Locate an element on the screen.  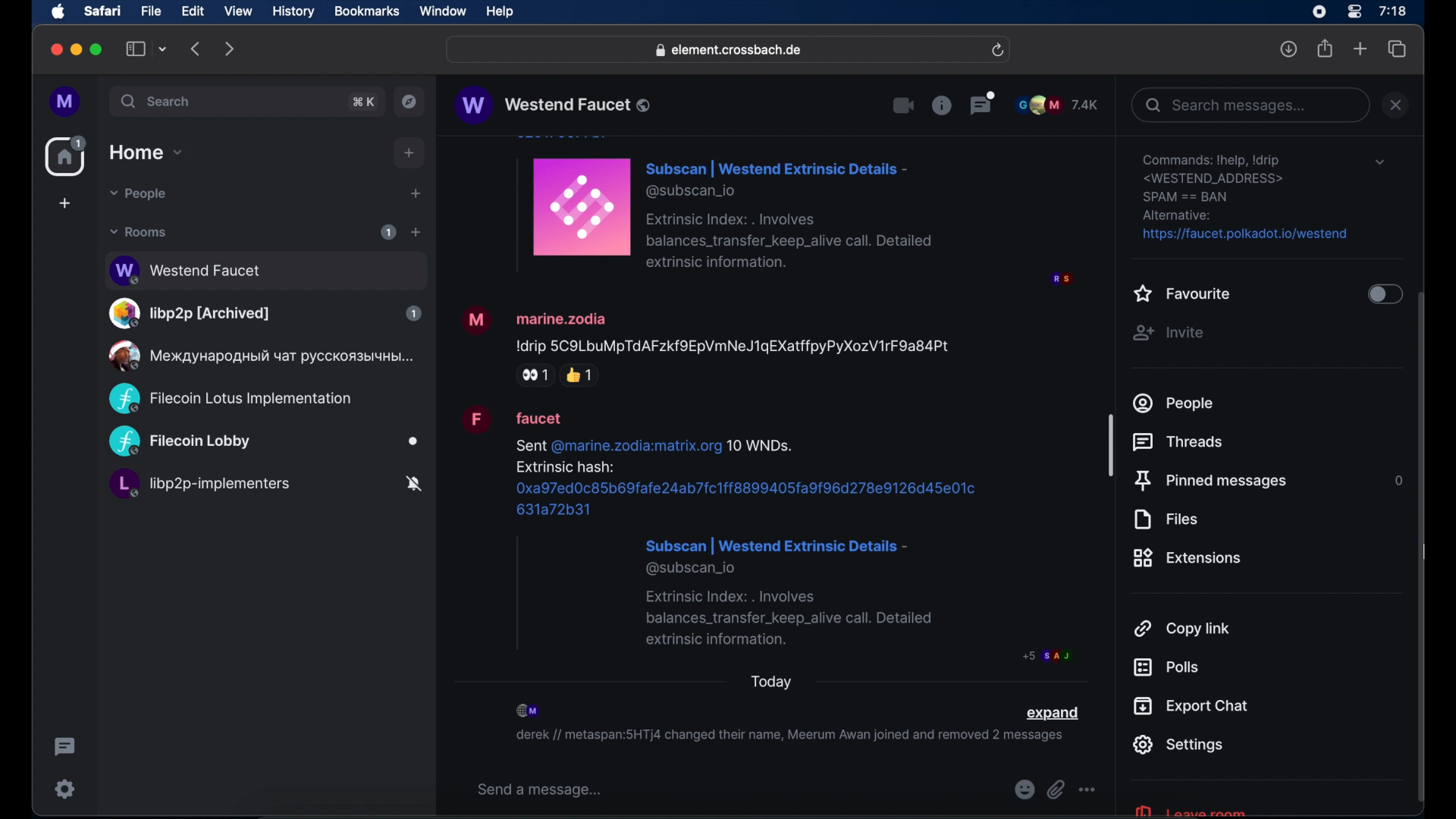
profile is located at coordinates (66, 102).